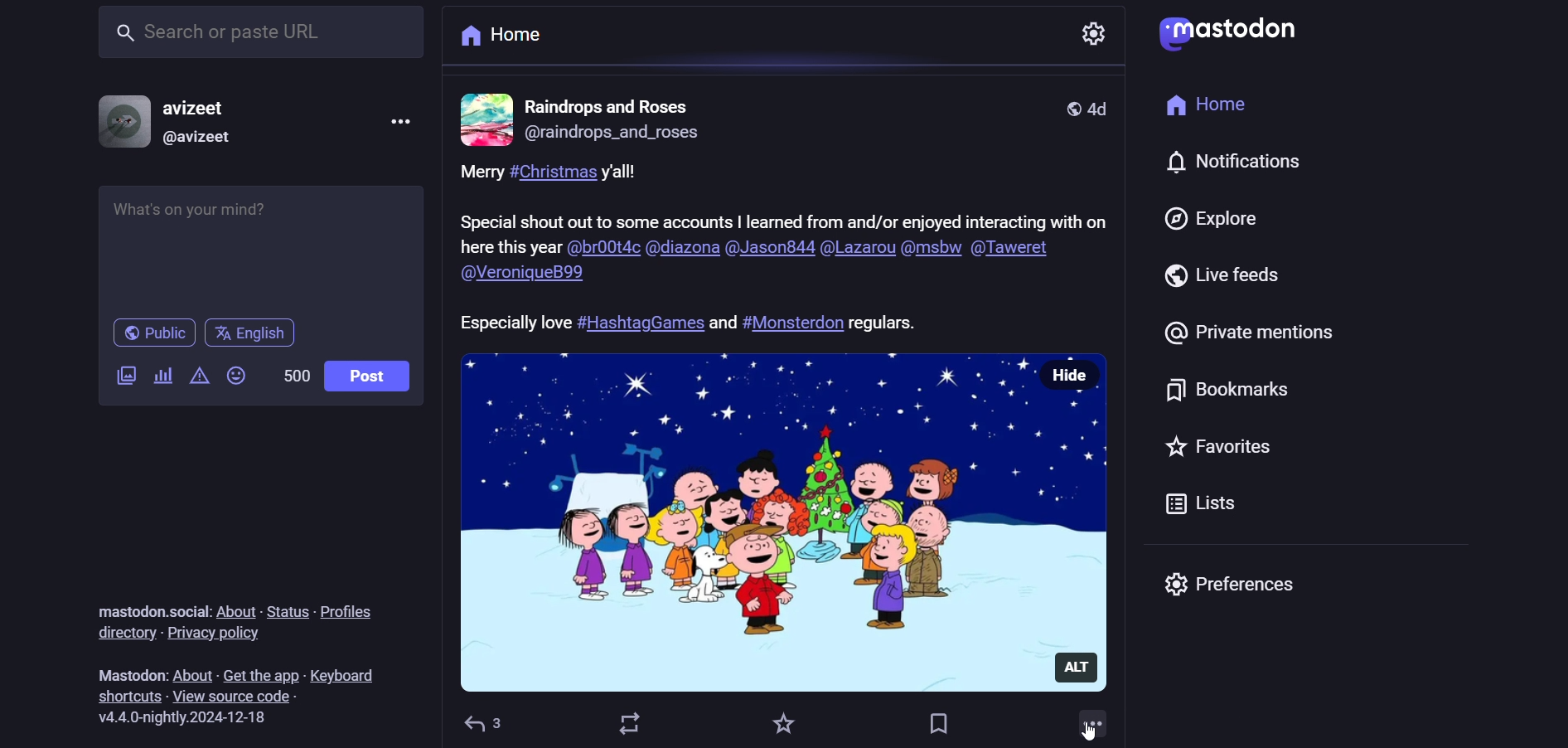 This screenshot has width=1568, height=748. What do you see at coordinates (1069, 108) in the screenshot?
I see `global` at bounding box center [1069, 108].